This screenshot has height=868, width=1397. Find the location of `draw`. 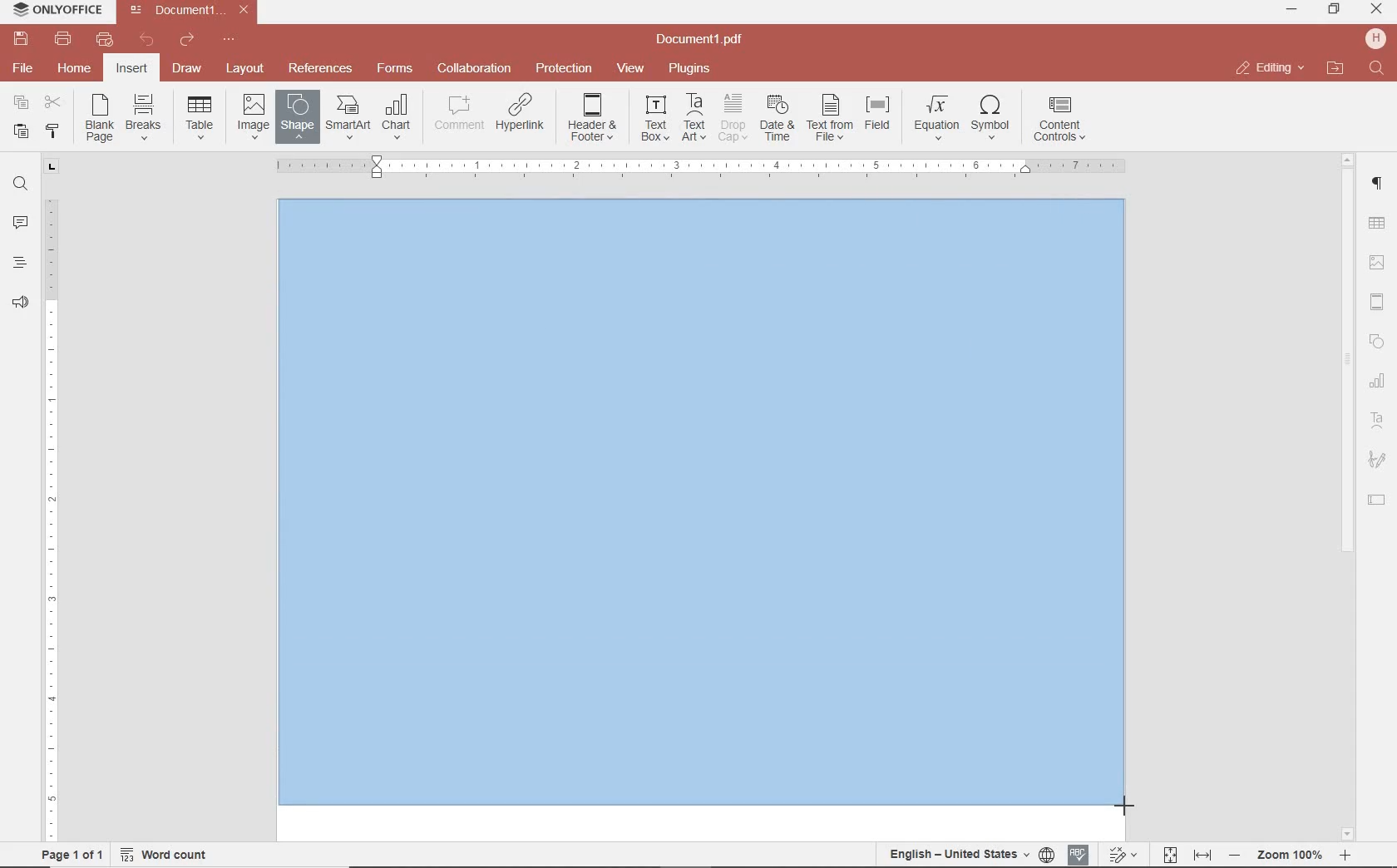

draw is located at coordinates (188, 67).